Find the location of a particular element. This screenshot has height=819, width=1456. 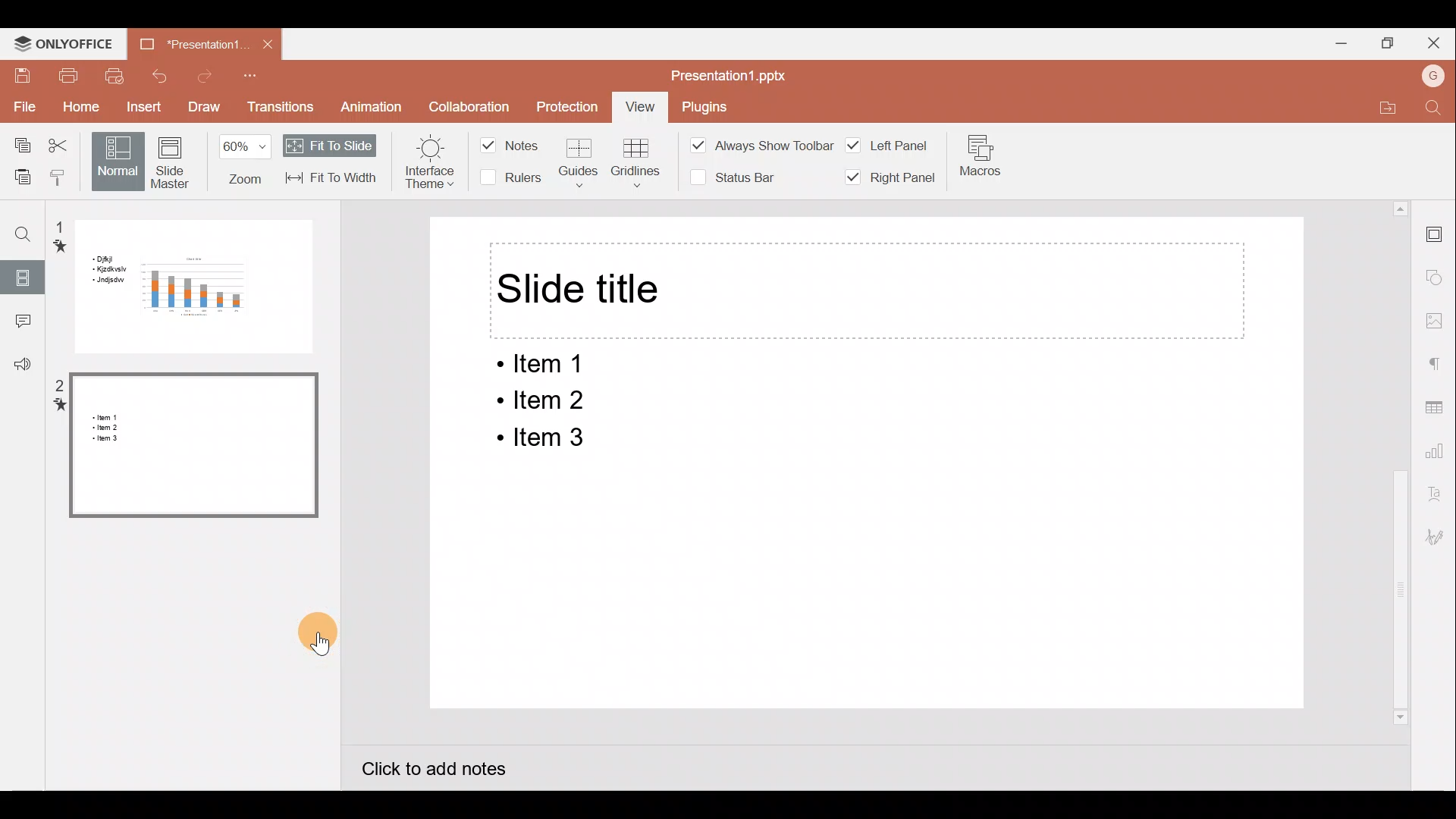

Interface theme is located at coordinates (431, 160).